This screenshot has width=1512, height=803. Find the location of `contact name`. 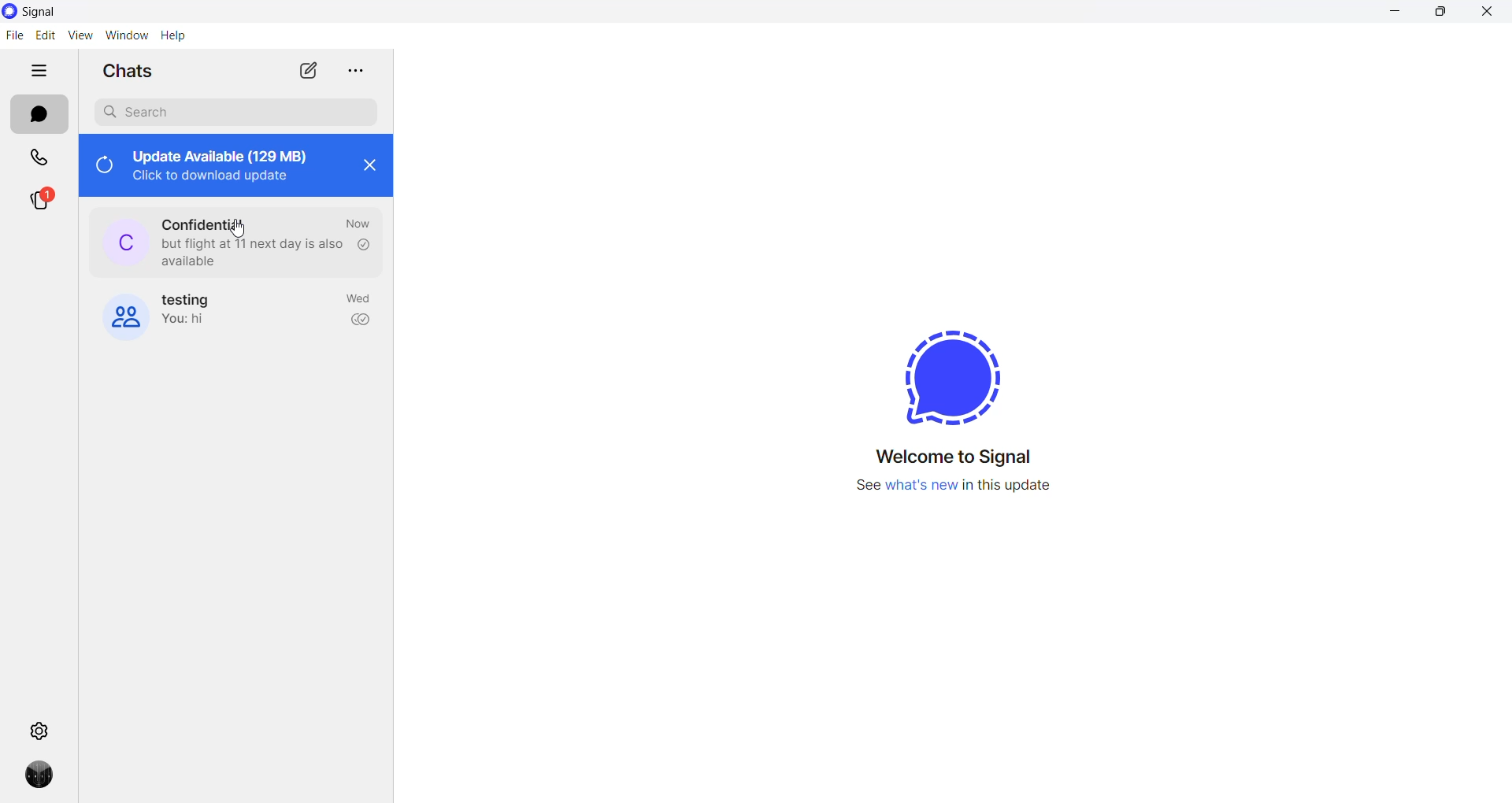

contact name is located at coordinates (209, 220).